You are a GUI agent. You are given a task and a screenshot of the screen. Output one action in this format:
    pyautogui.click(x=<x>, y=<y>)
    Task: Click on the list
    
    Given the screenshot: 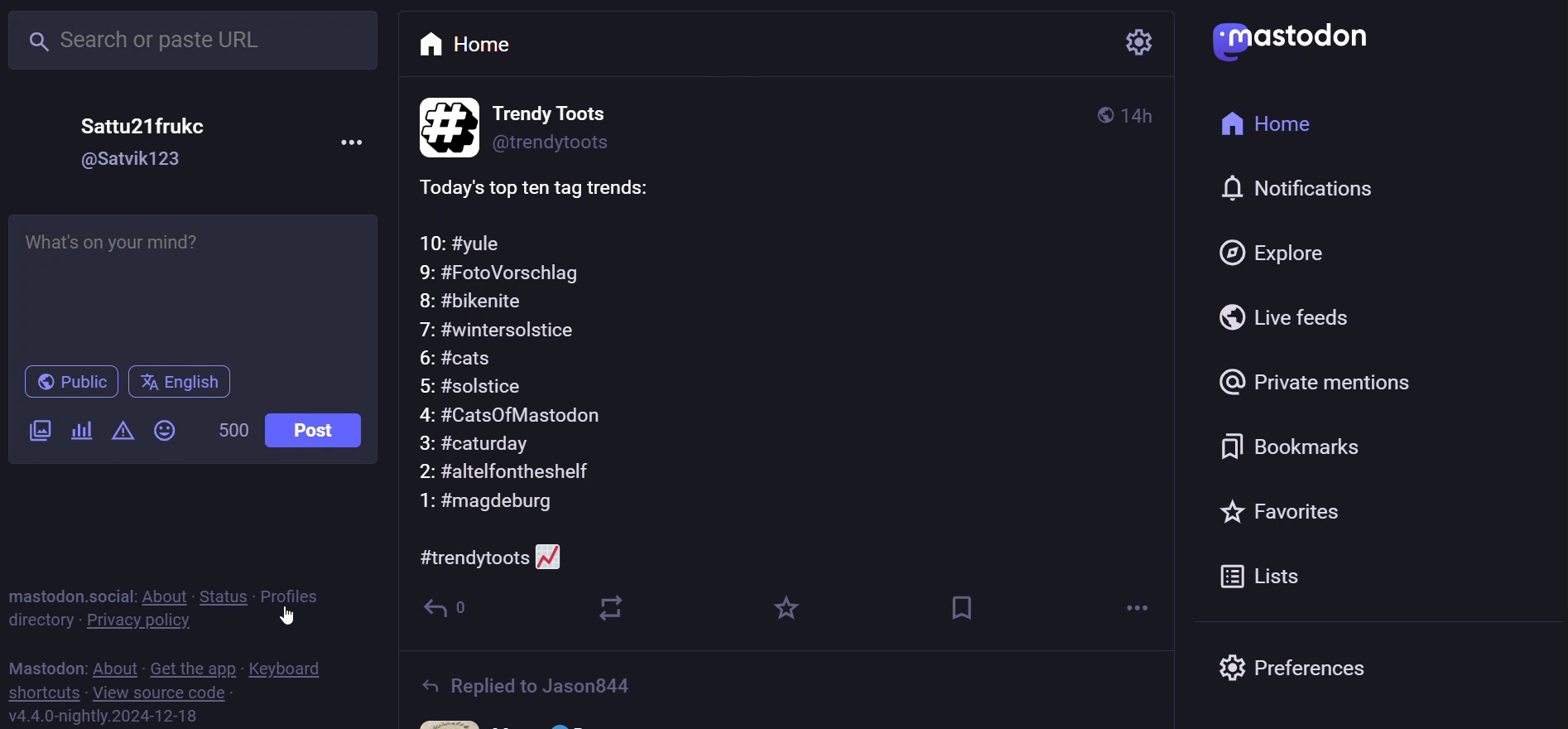 What is the action you would take?
    pyautogui.click(x=1270, y=576)
    